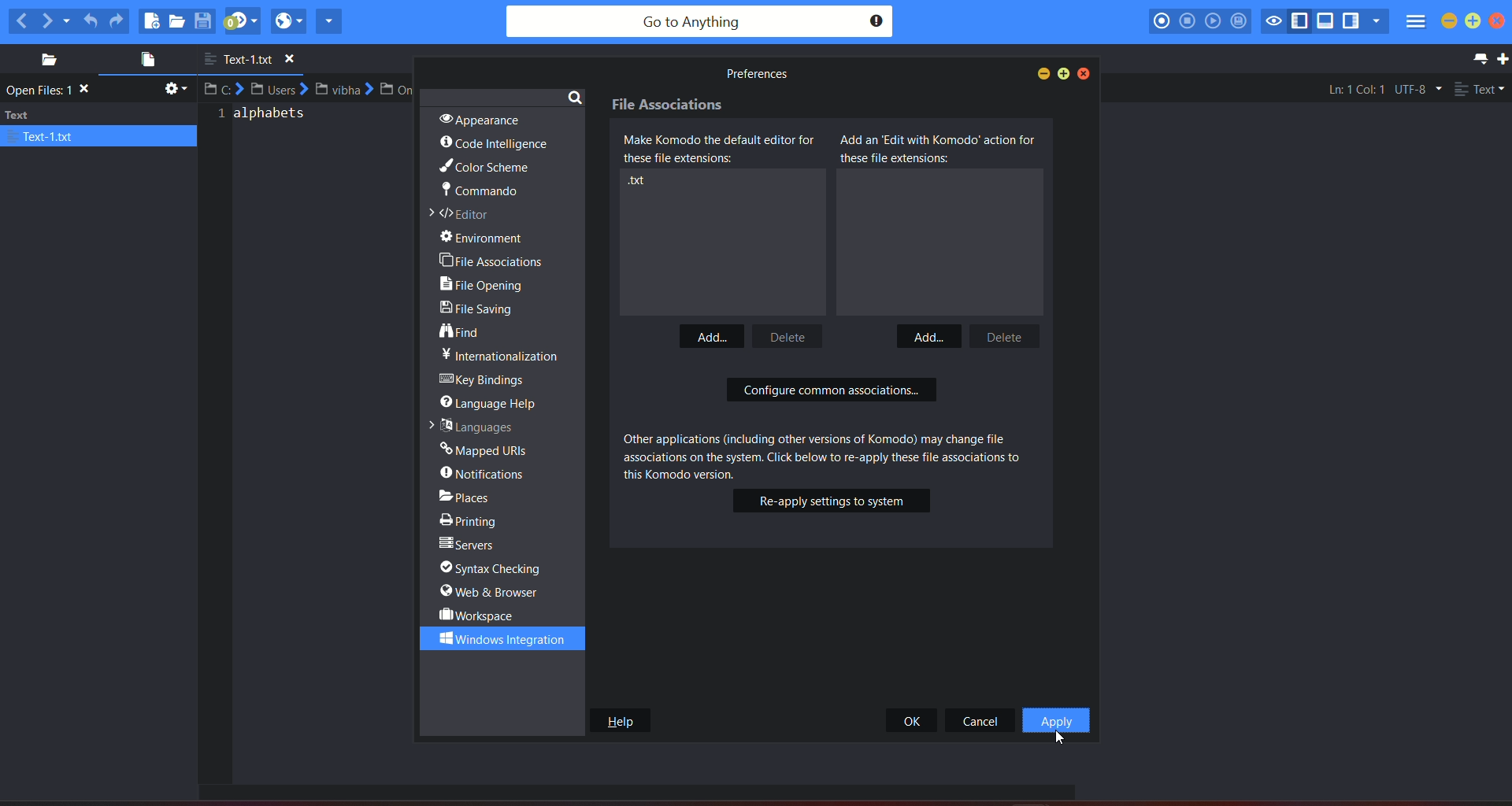 This screenshot has height=806, width=1512. I want to click on stop recording, so click(1186, 20).